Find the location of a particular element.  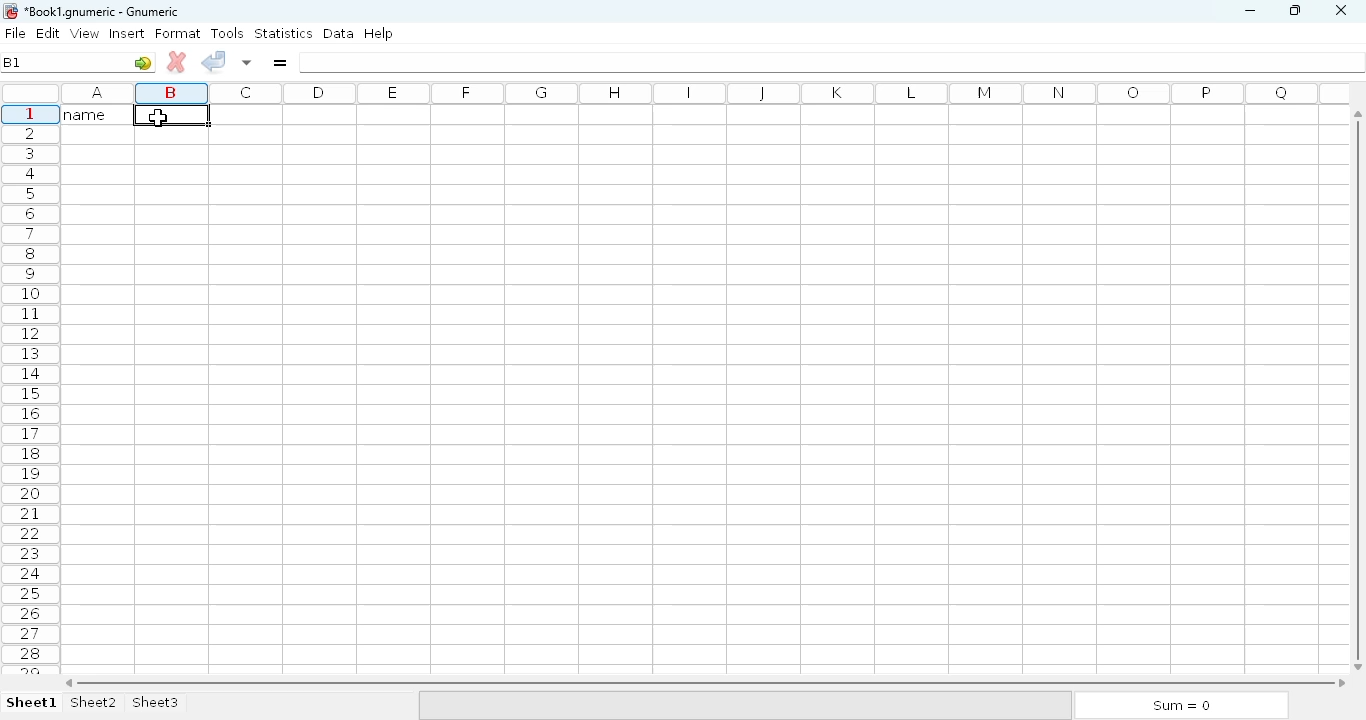

formula bar is located at coordinates (833, 62).